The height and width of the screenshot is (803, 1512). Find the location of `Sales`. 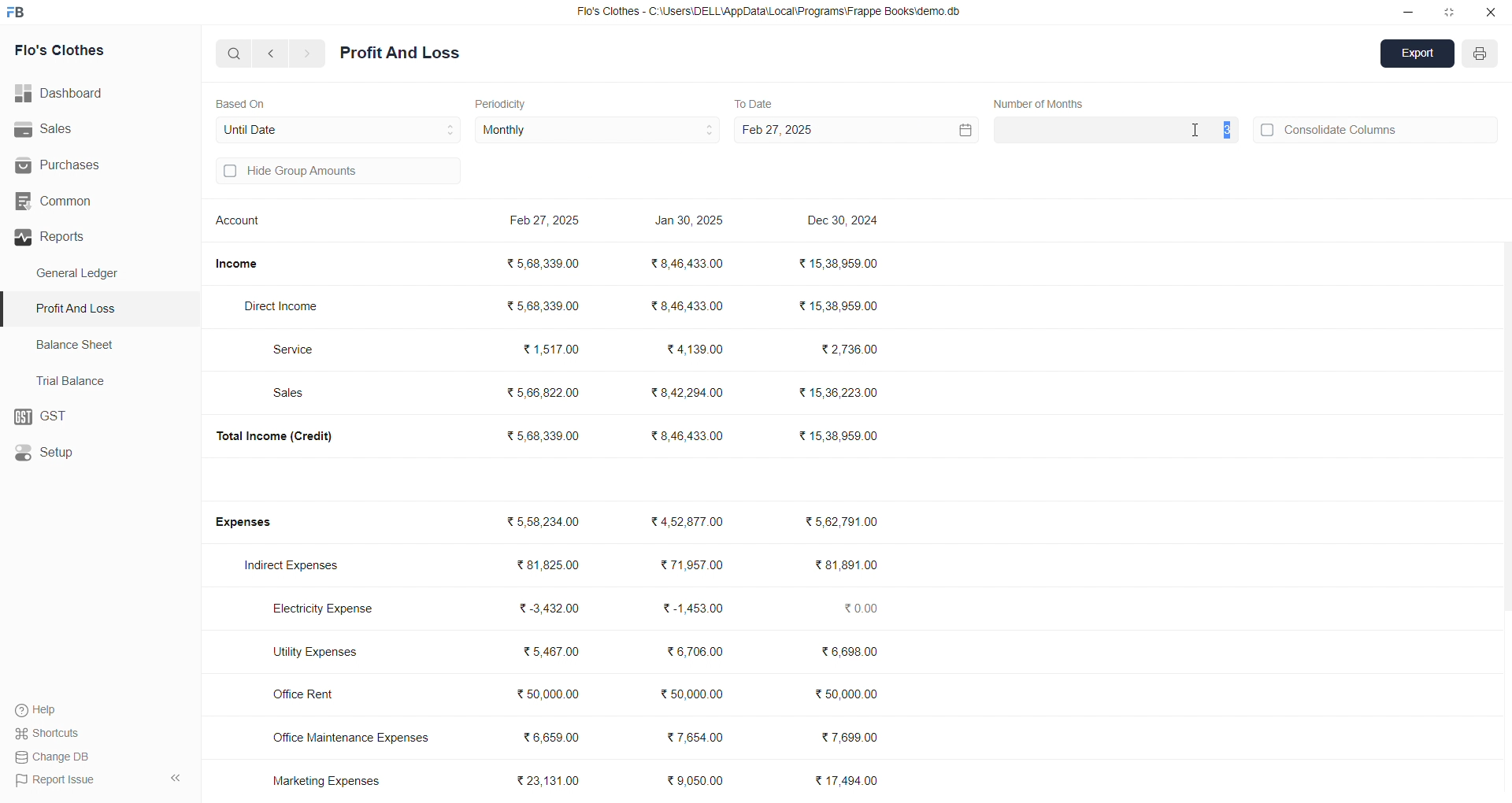

Sales is located at coordinates (90, 130).